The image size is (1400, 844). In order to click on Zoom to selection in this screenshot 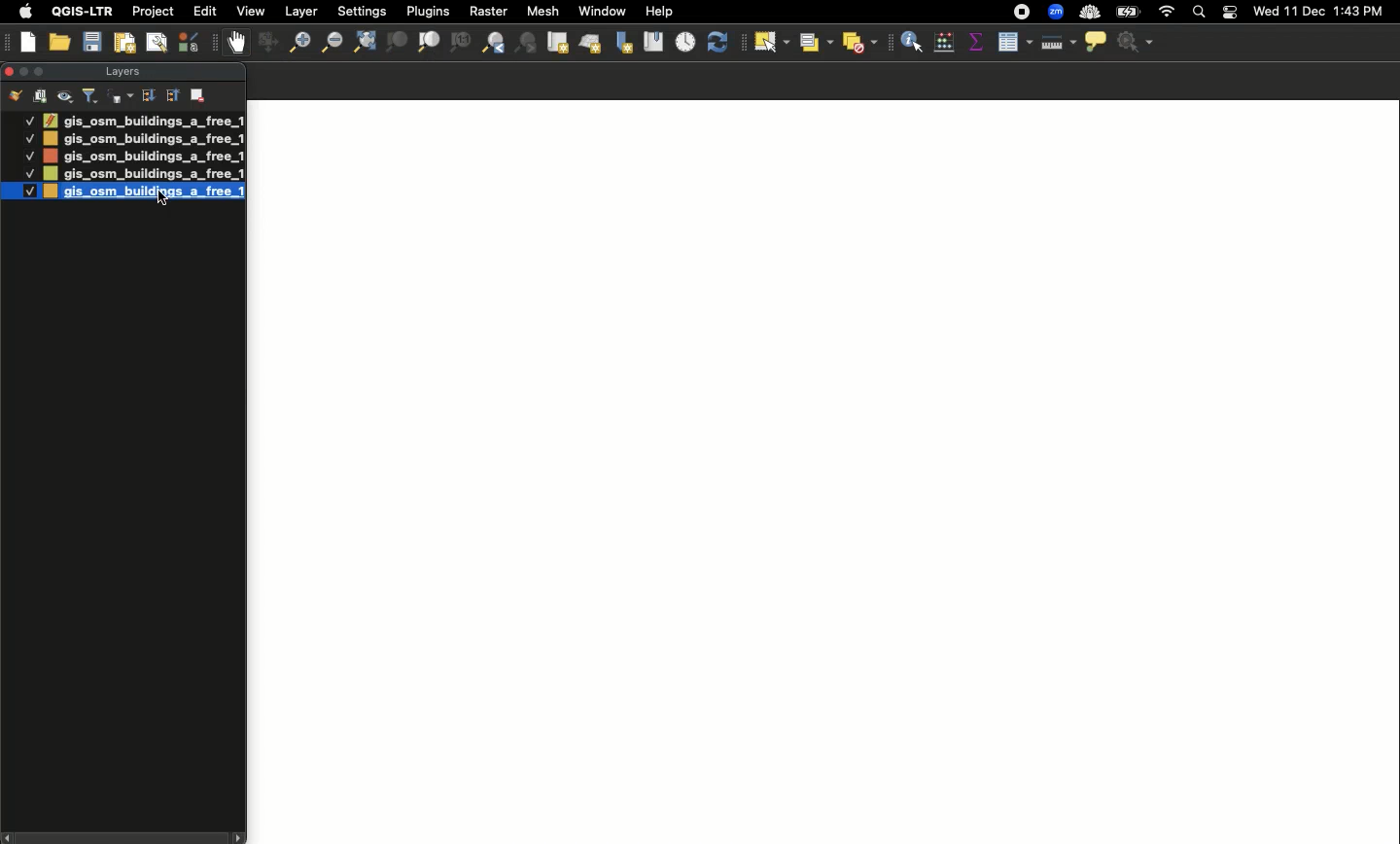, I will do `click(397, 43)`.